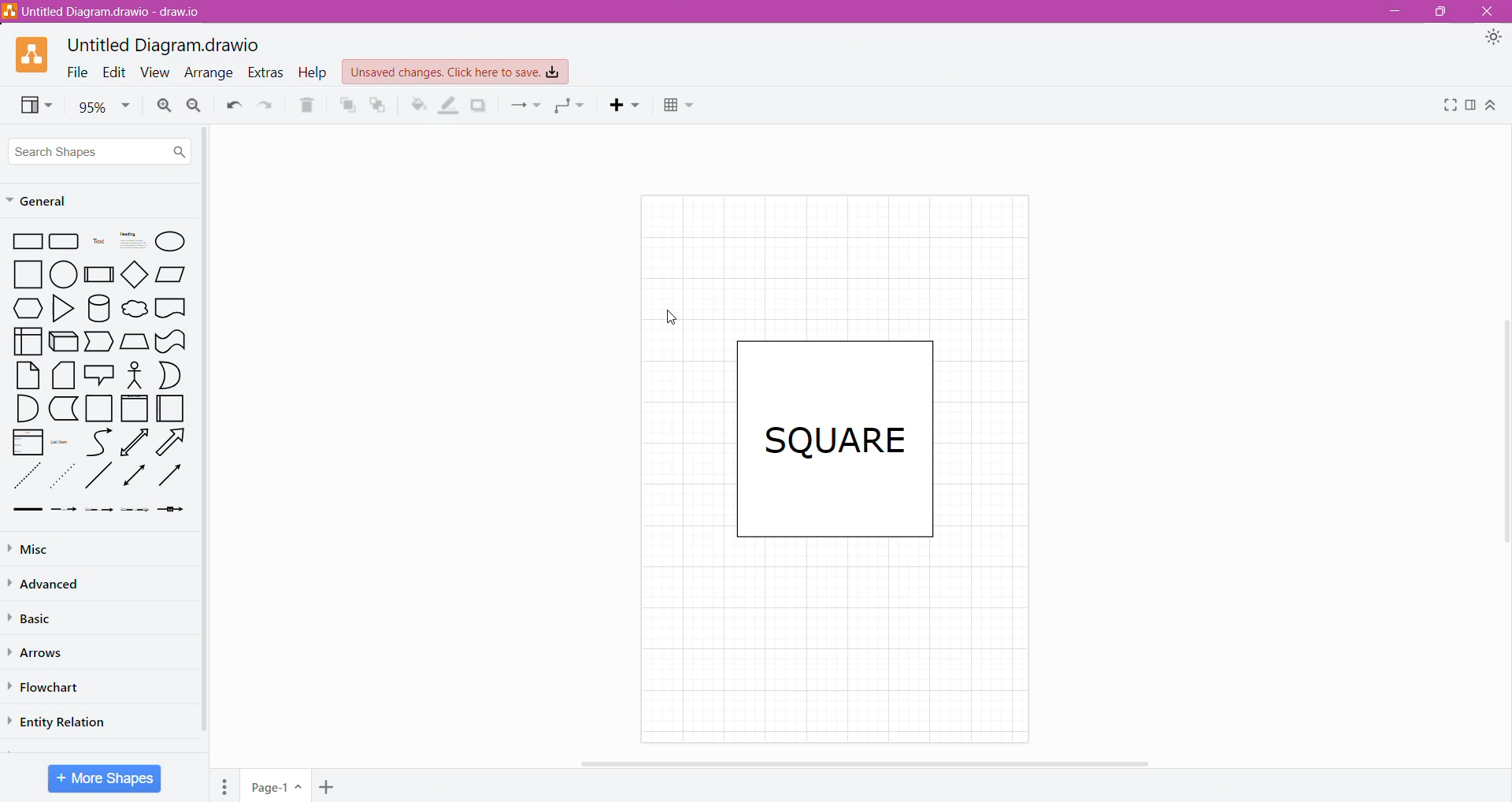 The width and height of the screenshot is (1512, 802). I want to click on heading, so click(133, 241).